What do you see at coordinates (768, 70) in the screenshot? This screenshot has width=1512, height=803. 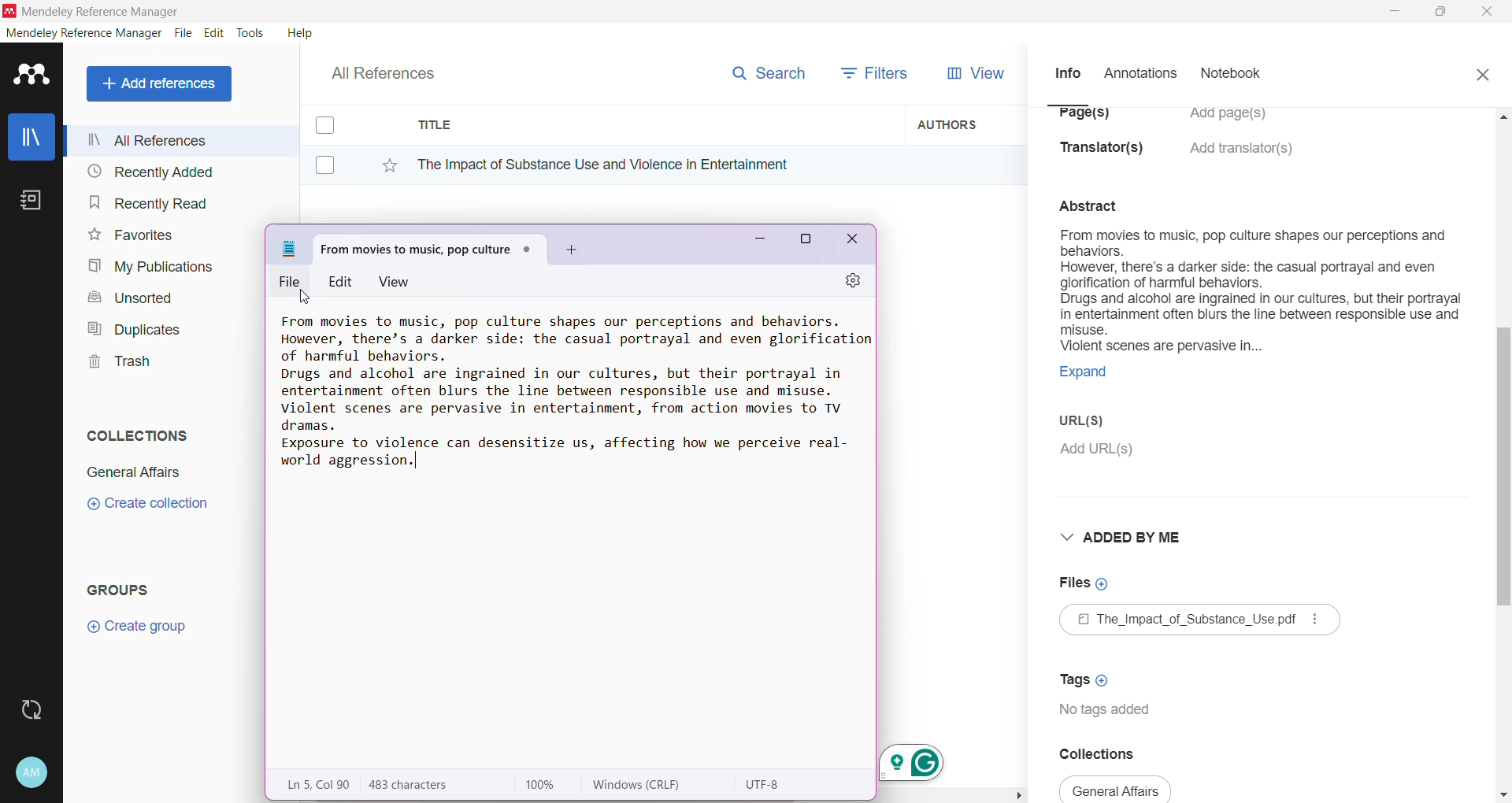 I see `Search` at bounding box center [768, 70].